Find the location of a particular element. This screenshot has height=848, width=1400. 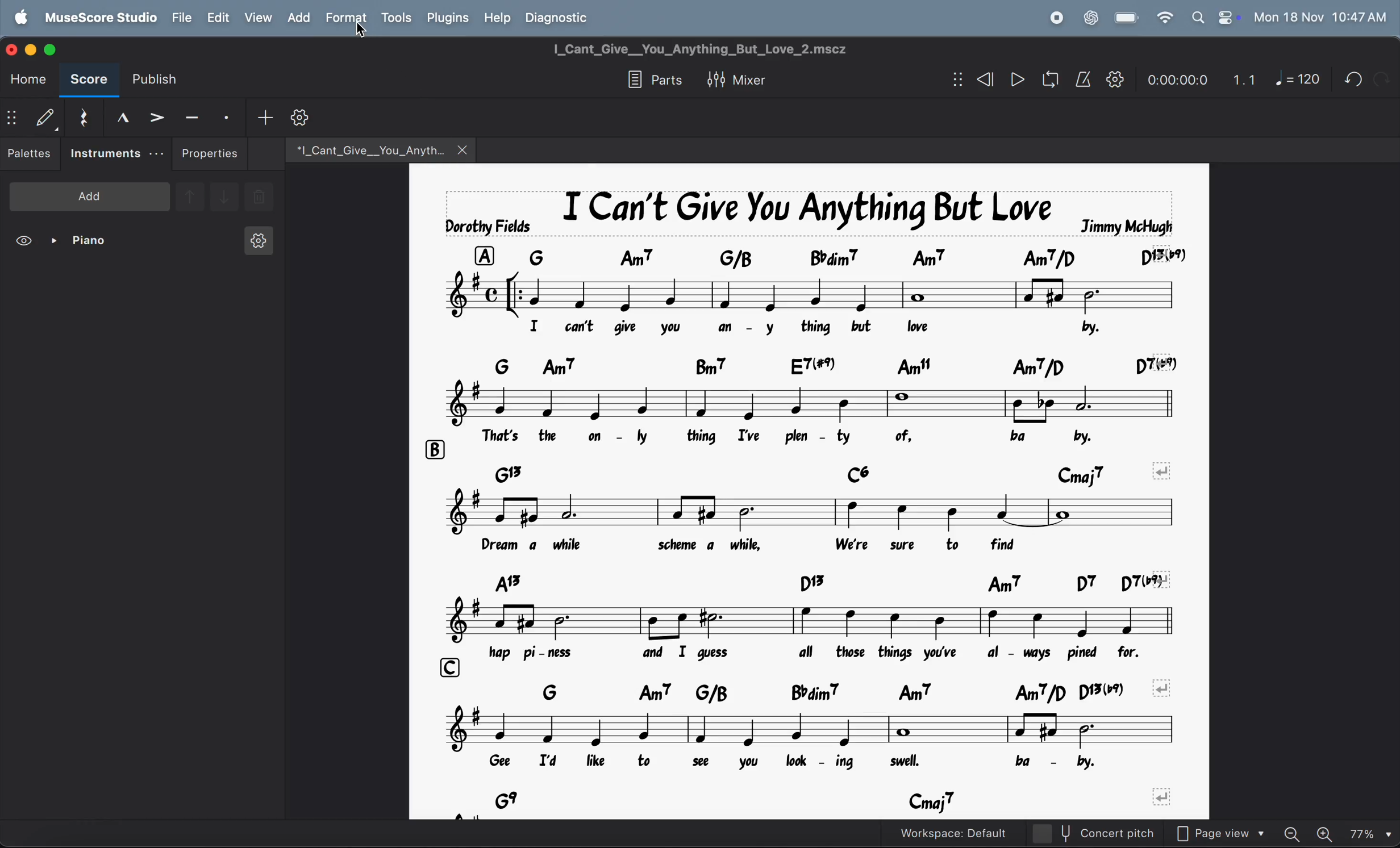

1.1 is located at coordinates (1244, 77).